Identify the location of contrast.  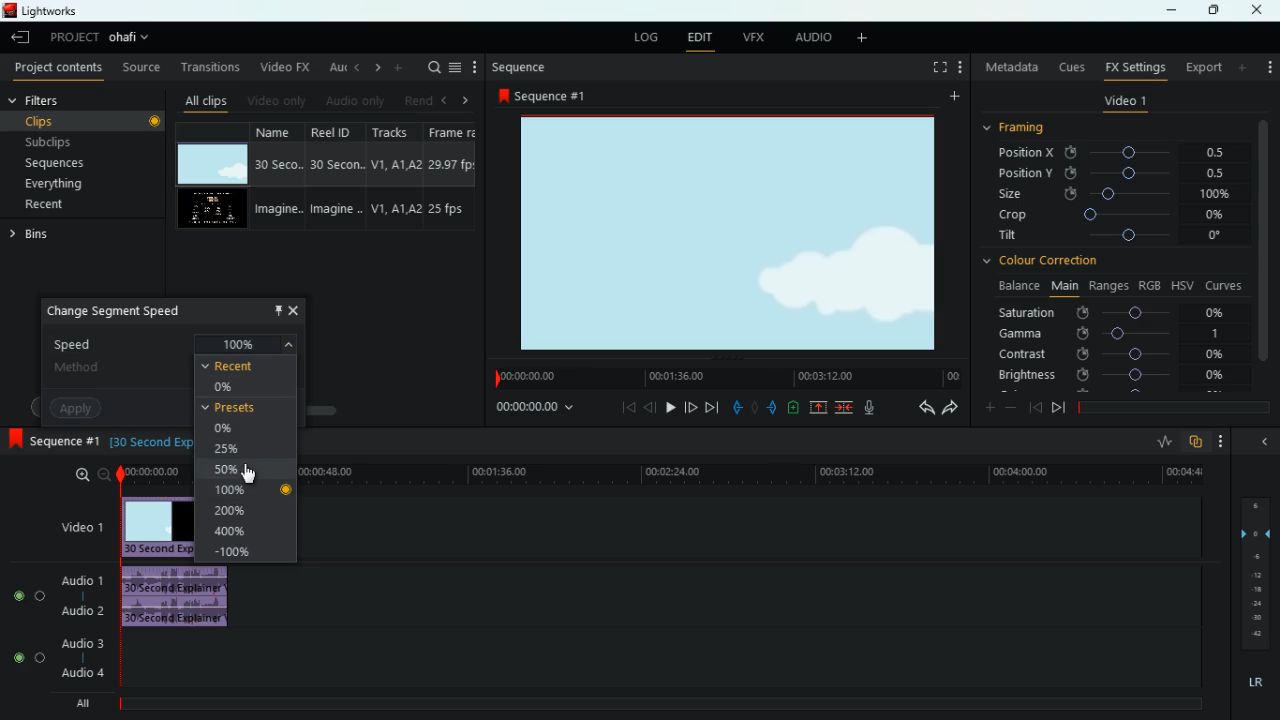
(1110, 355).